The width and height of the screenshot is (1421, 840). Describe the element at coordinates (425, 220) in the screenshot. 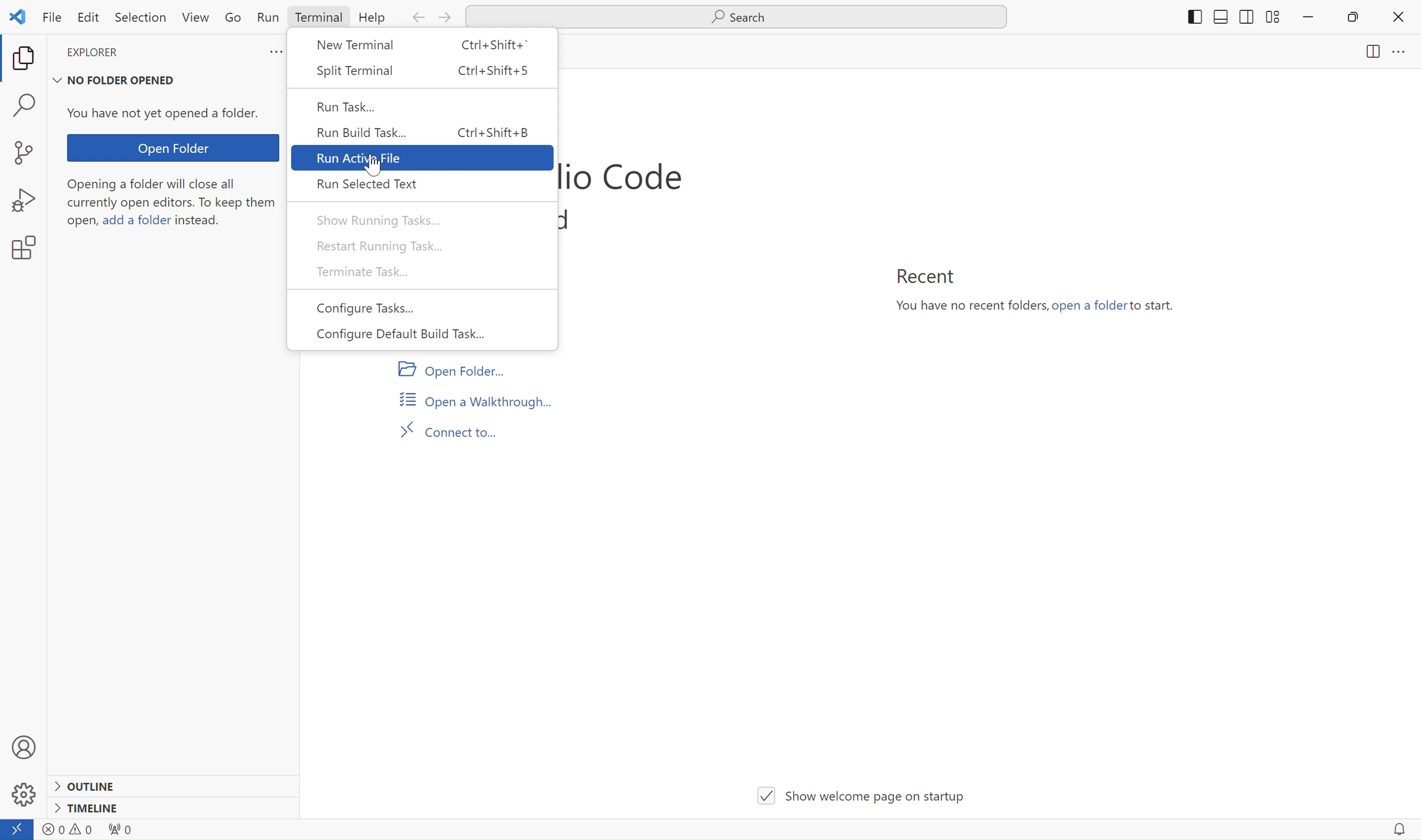

I see `show running tasks` at that location.